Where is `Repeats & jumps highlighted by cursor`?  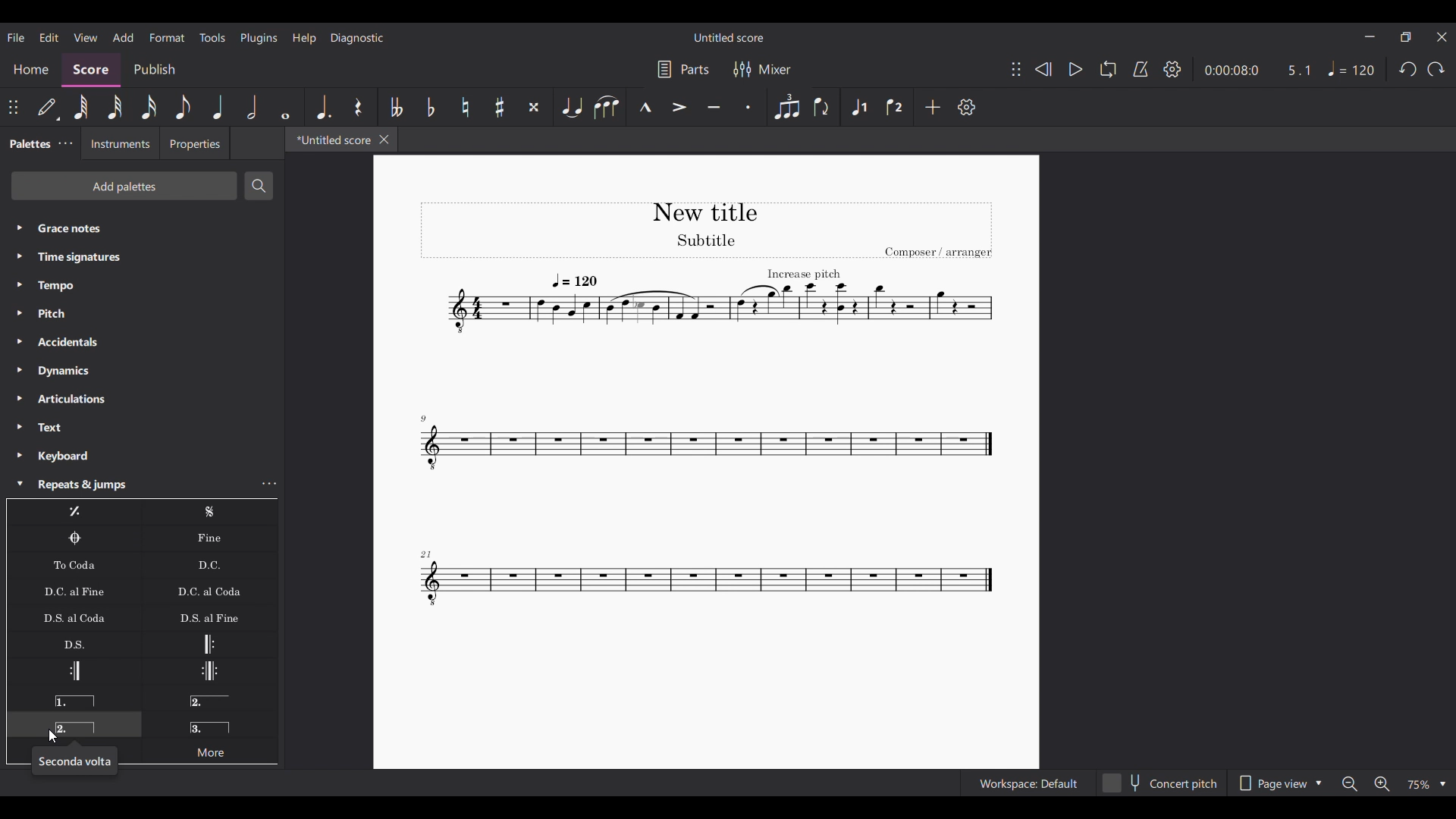
Repeats & jumps highlighted by cursor is located at coordinates (129, 485).